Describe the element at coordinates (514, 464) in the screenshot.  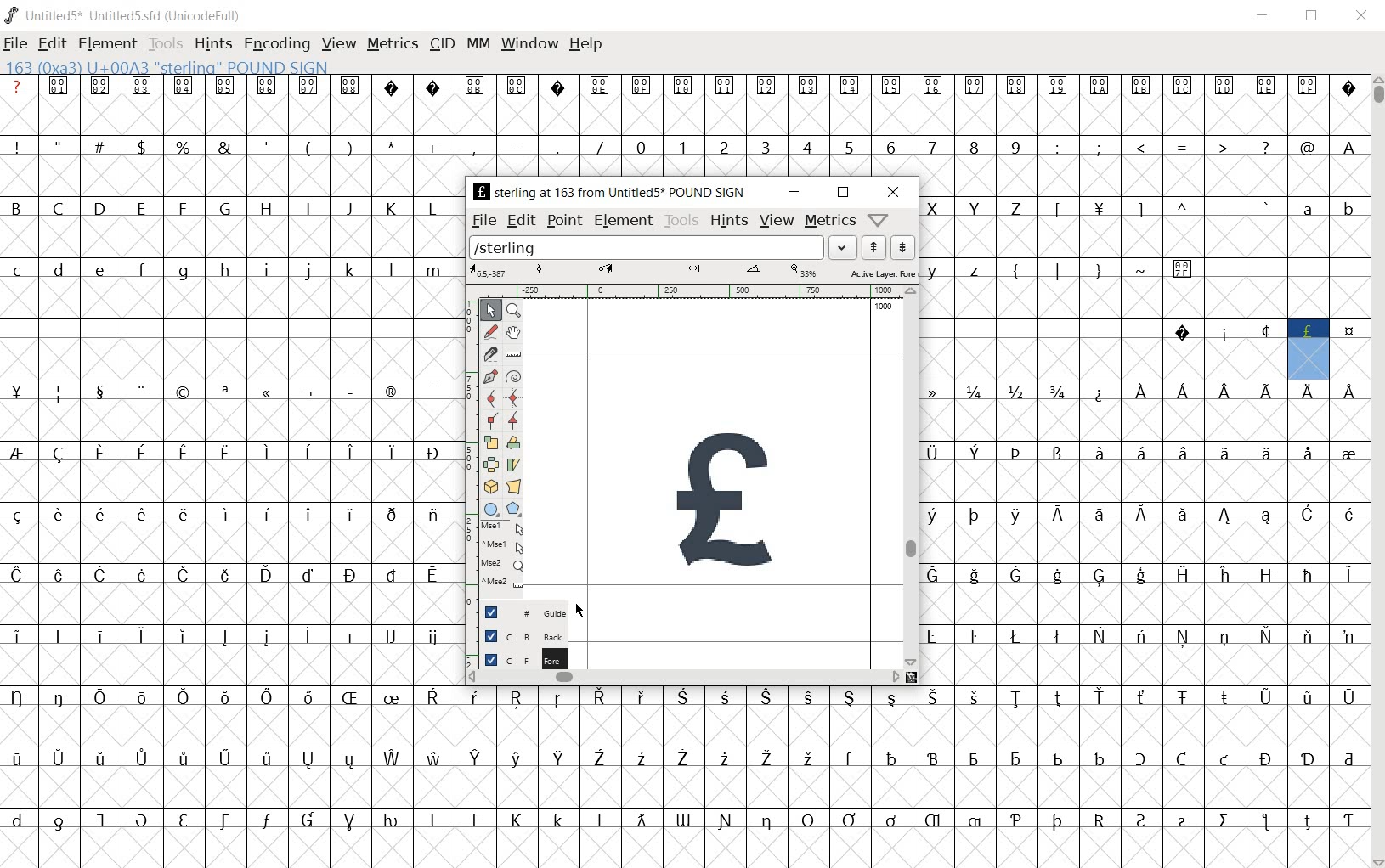
I see `skew` at that location.